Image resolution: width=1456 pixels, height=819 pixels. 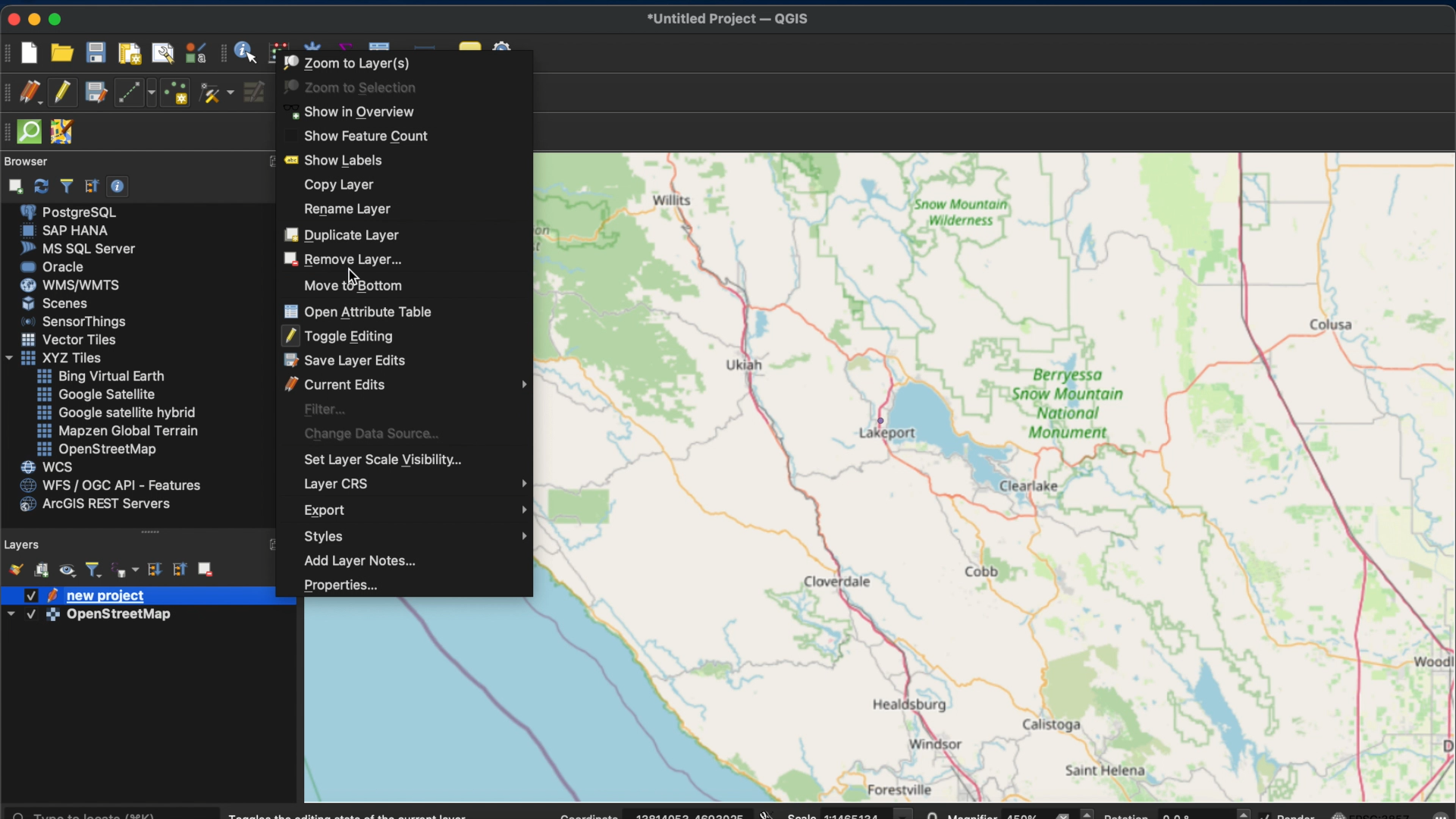 I want to click on save project, so click(x=96, y=54).